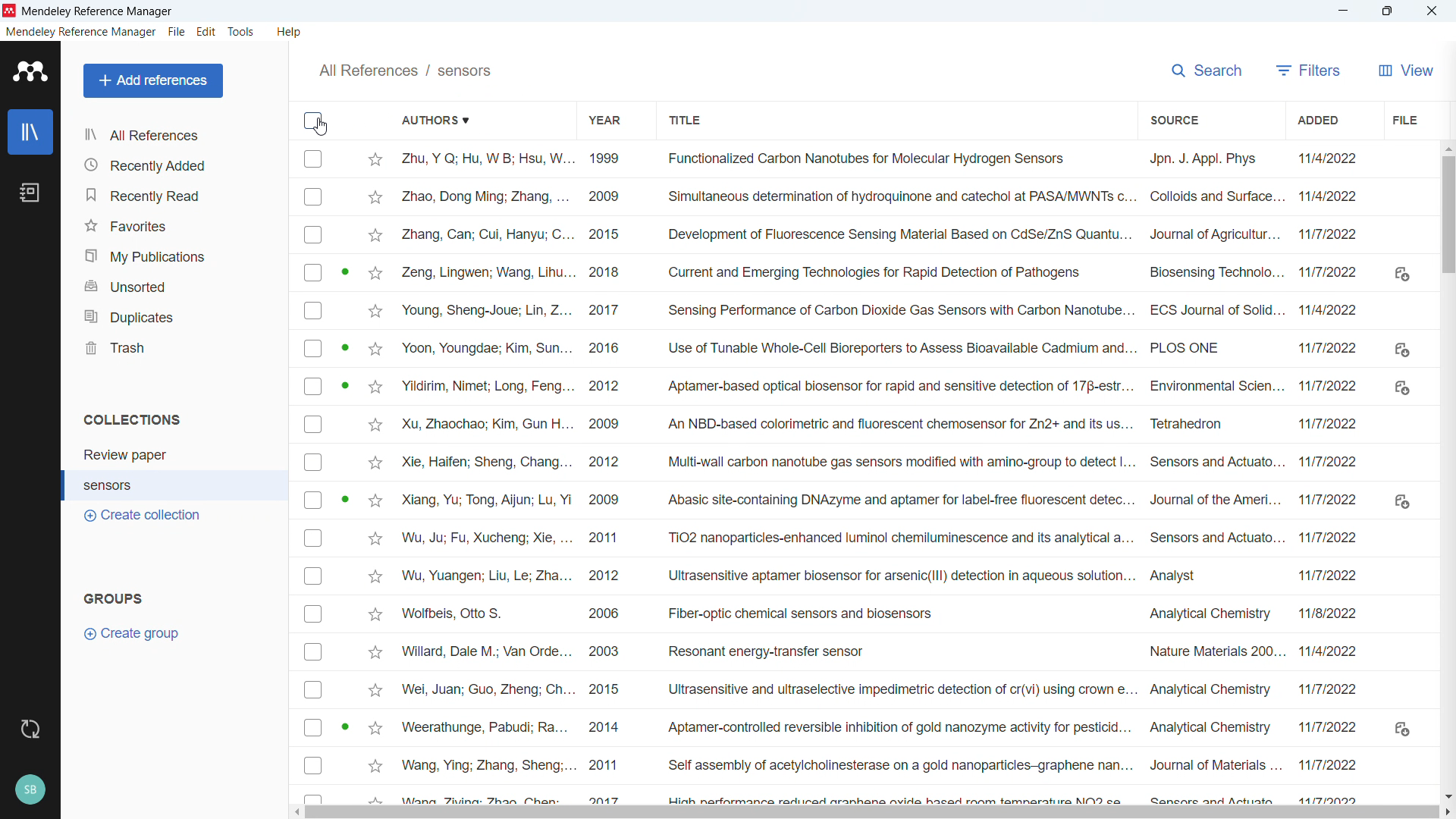 Image resolution: width=1456 pixels, height=819 pixels. I want to click on Vertical scroll bar , so click(1449, 215).